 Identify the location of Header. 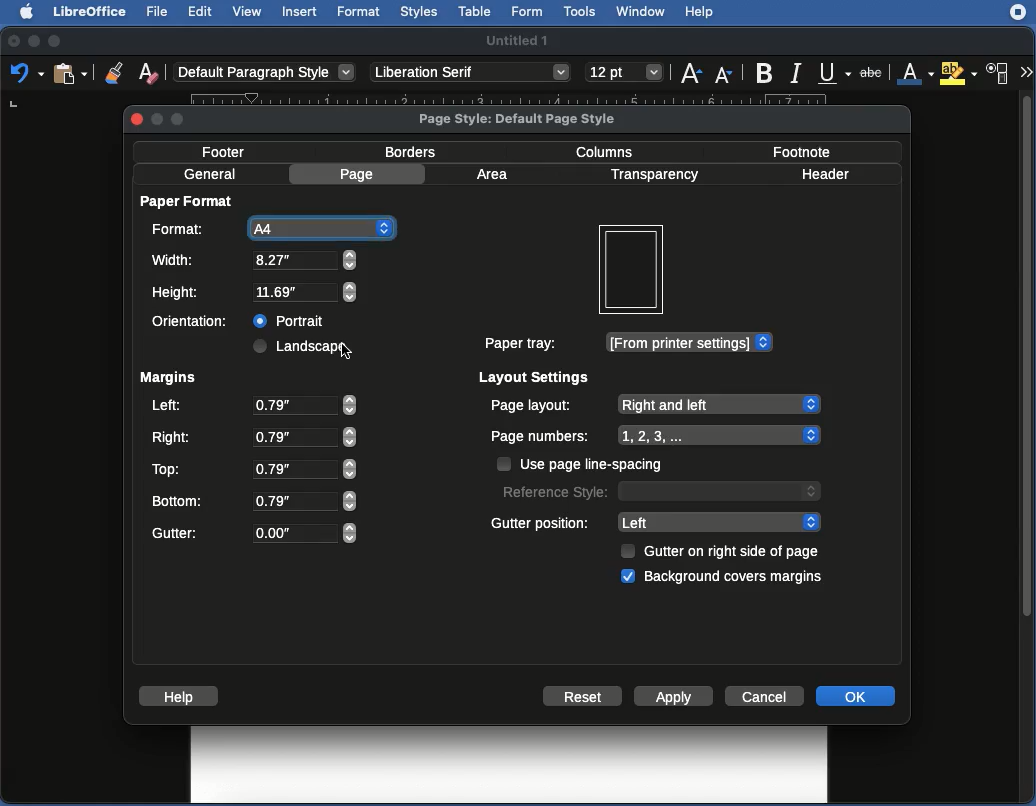
(832, 173).